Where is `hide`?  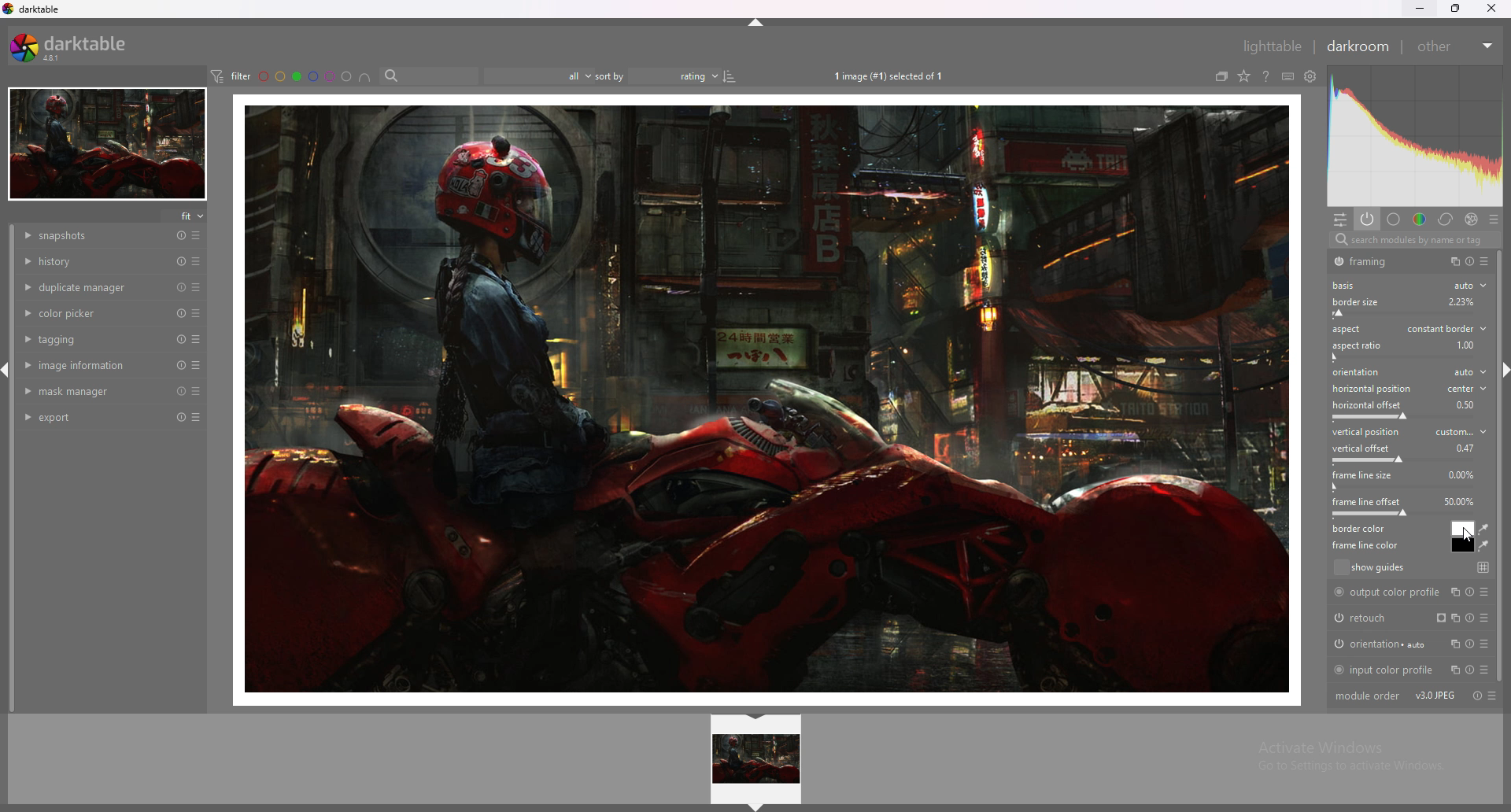 hide is located at coordinates (758, 718).